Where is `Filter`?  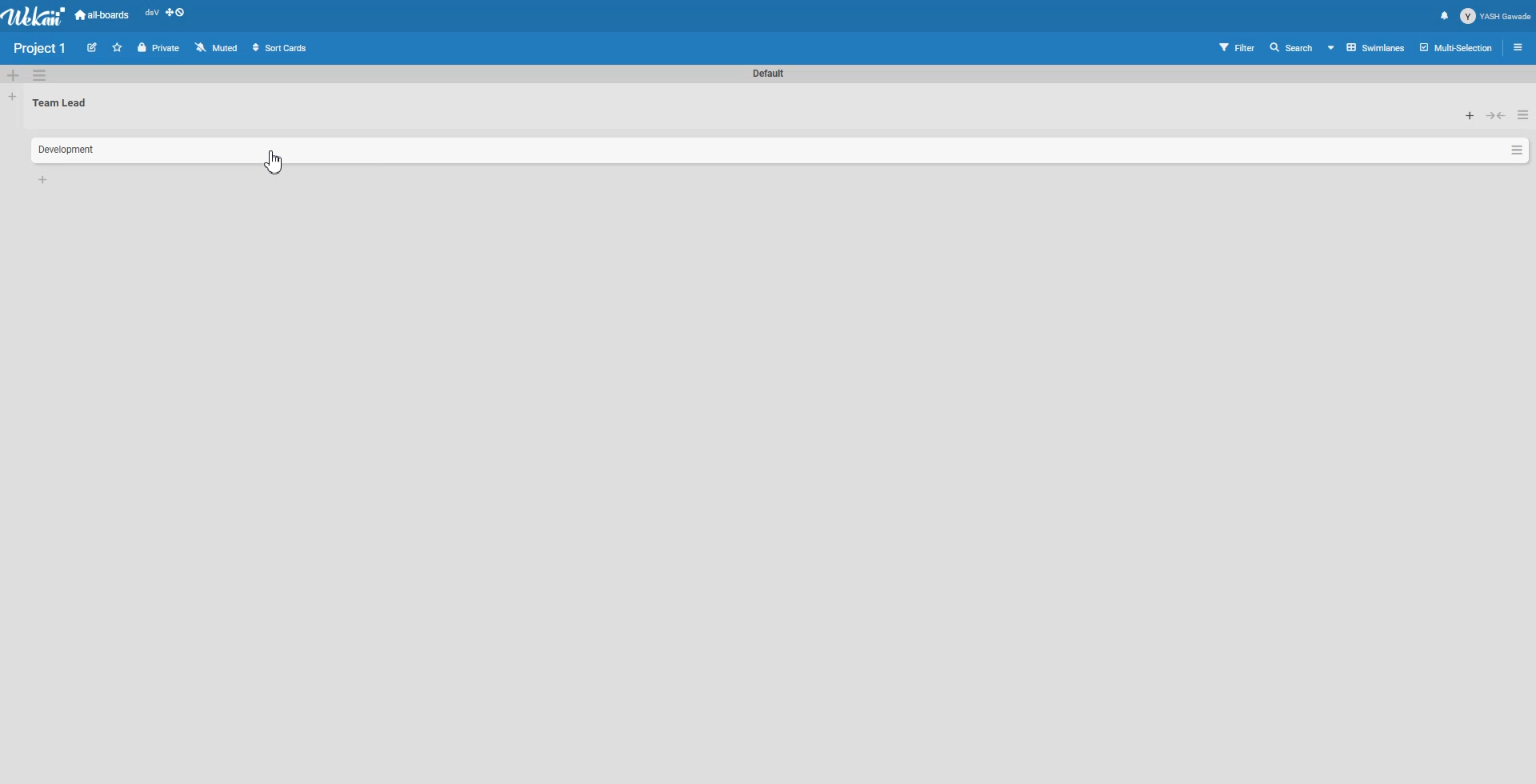
Filter is located at coordinates (1238, 47).